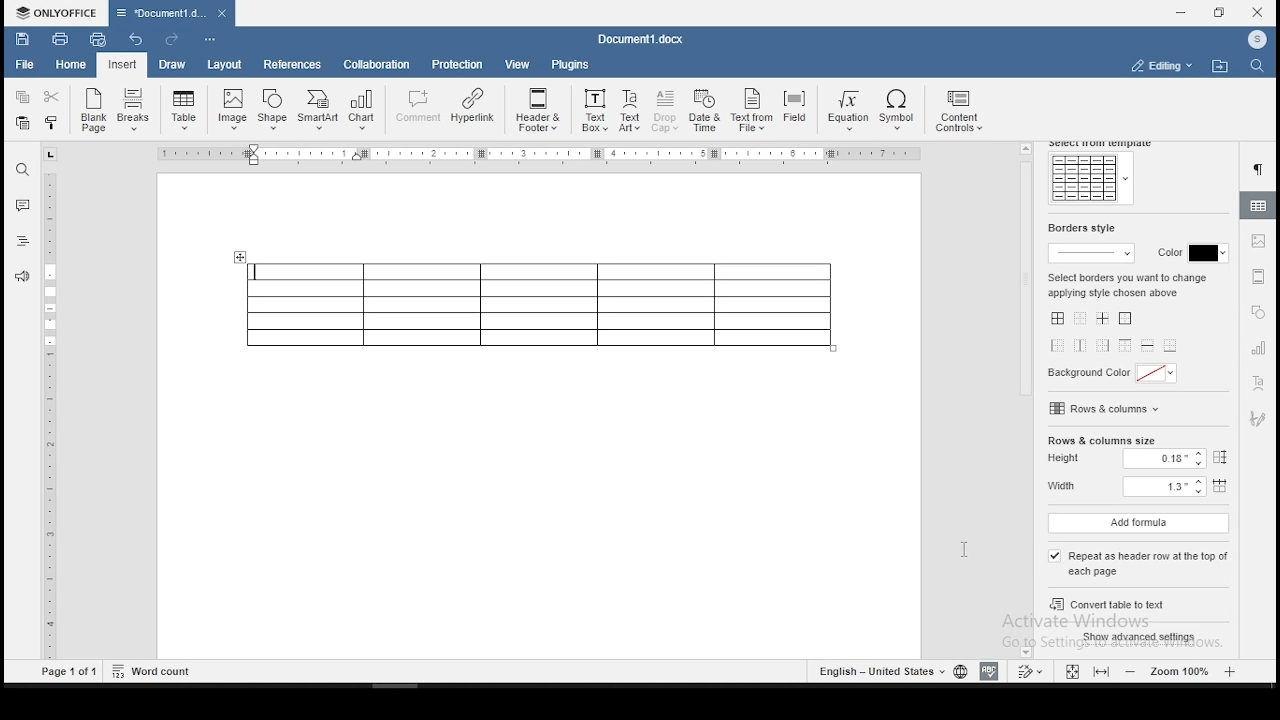 This screenshot has height=720, width=1280. What do you see at coordinates (70, 673) in the screenshot?
I see `Page1 of 1` at bounding box center [70, 673].